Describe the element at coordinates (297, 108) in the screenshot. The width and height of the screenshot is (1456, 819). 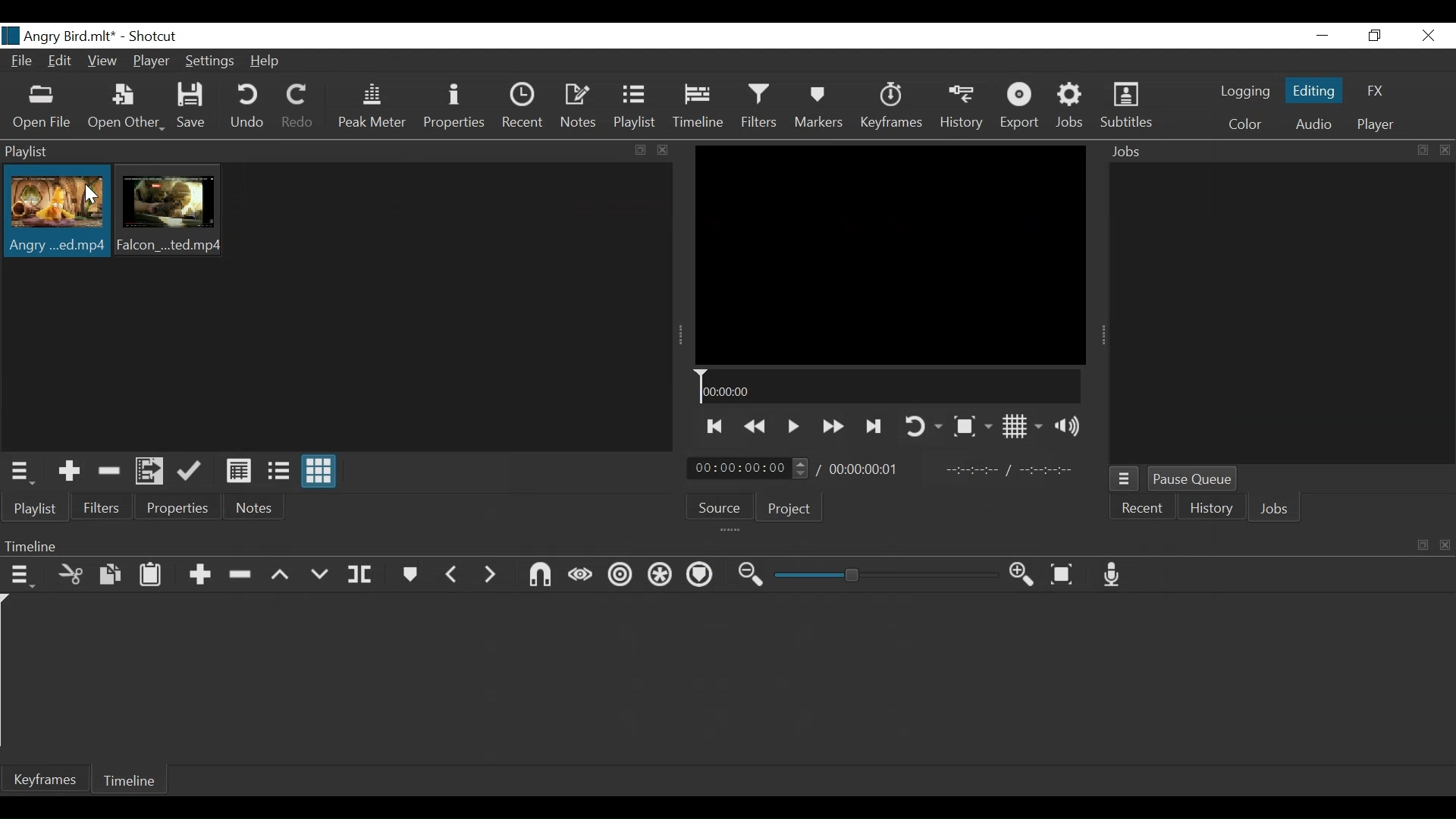
I see `Redo` at that location.